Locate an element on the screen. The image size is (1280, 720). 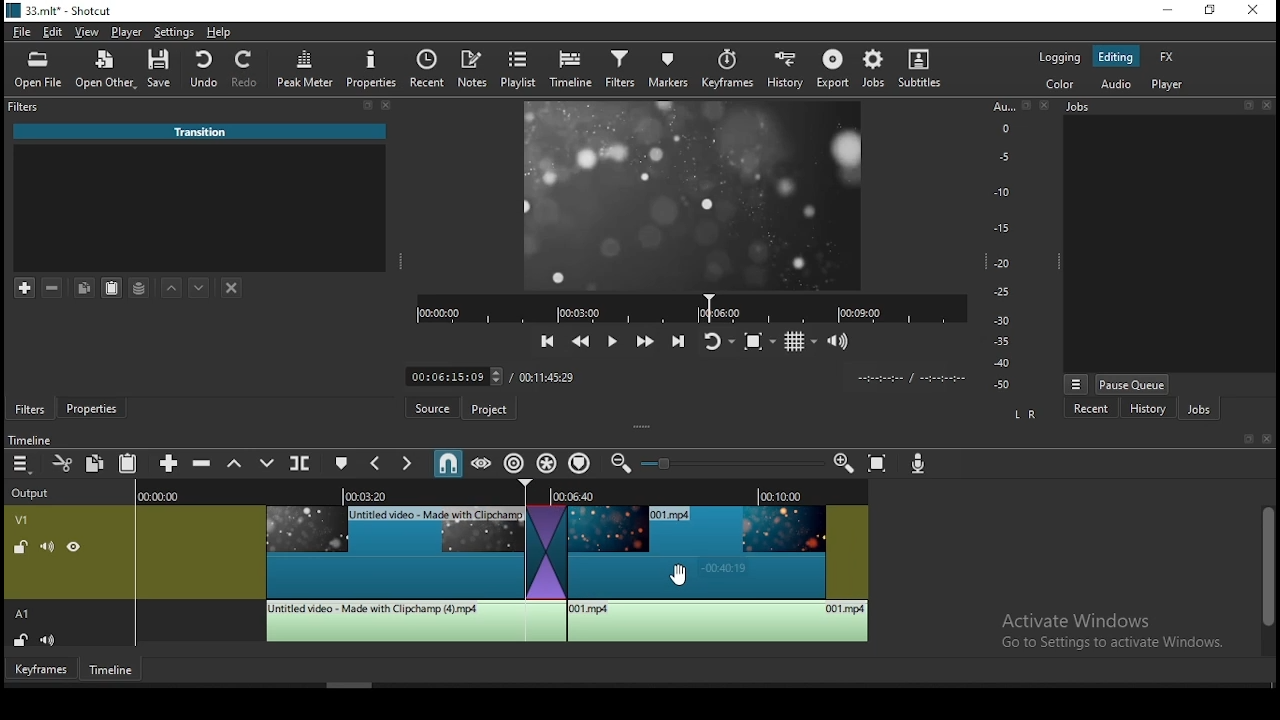
source is located at coordinates (423, 409).